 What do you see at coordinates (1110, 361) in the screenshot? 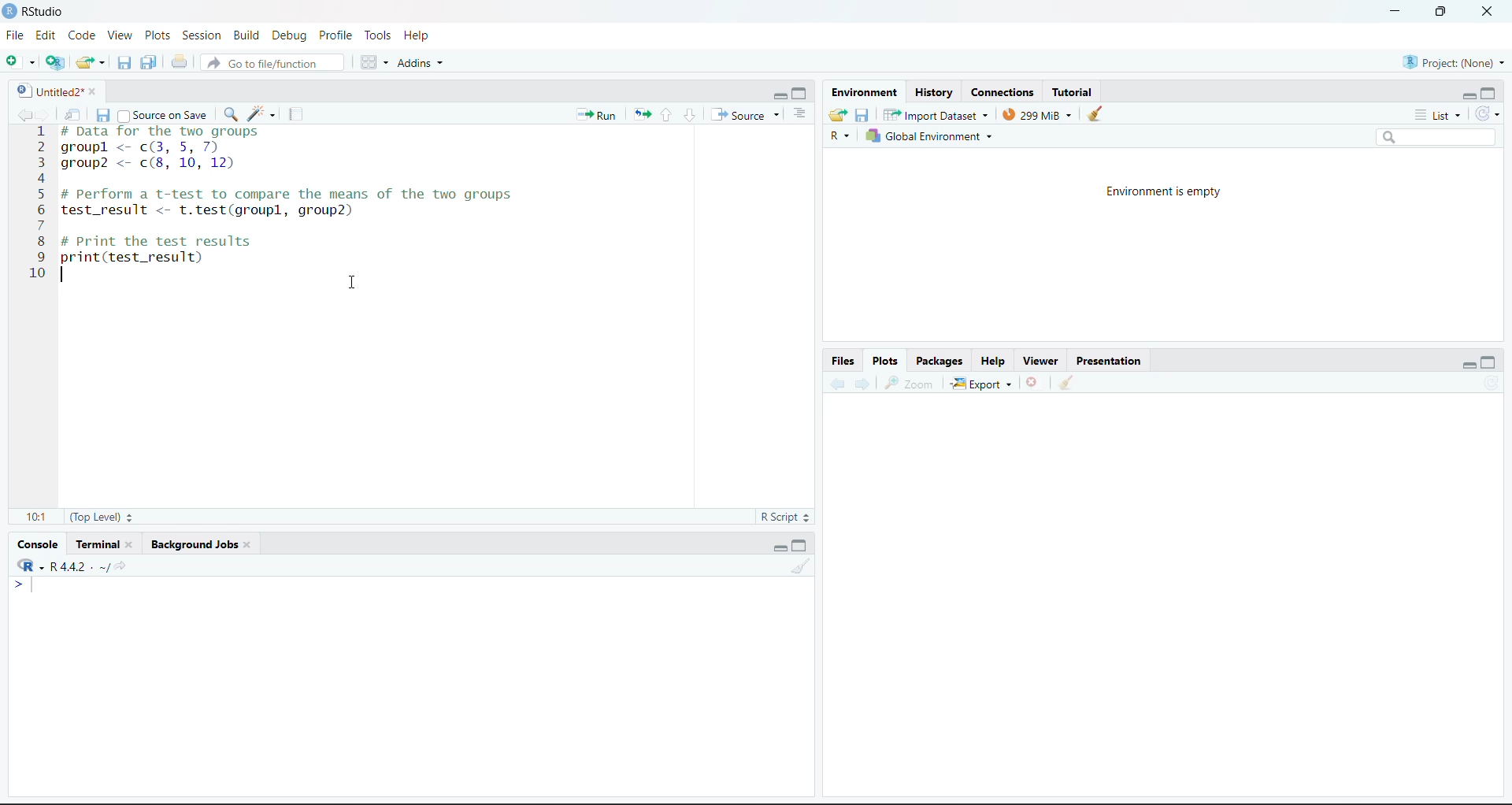
I see `Presentation` at bounding box center [1110, 361].